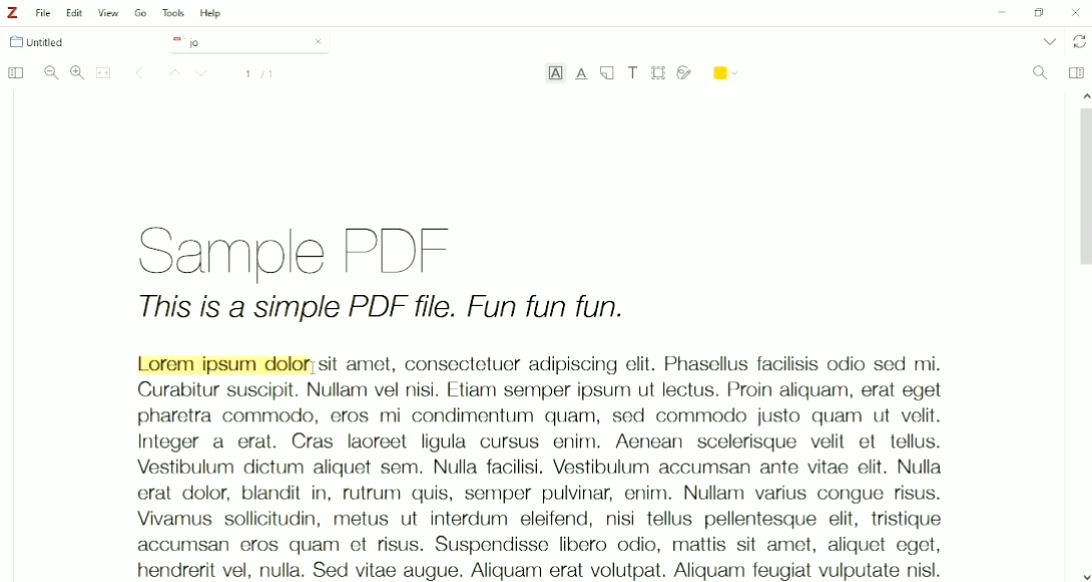 The height and width of the screenshot is (582, 1092). Describe the element at coordinates (1082, 192) in the screenshot. I see `Vertical scrollbar` at that location.